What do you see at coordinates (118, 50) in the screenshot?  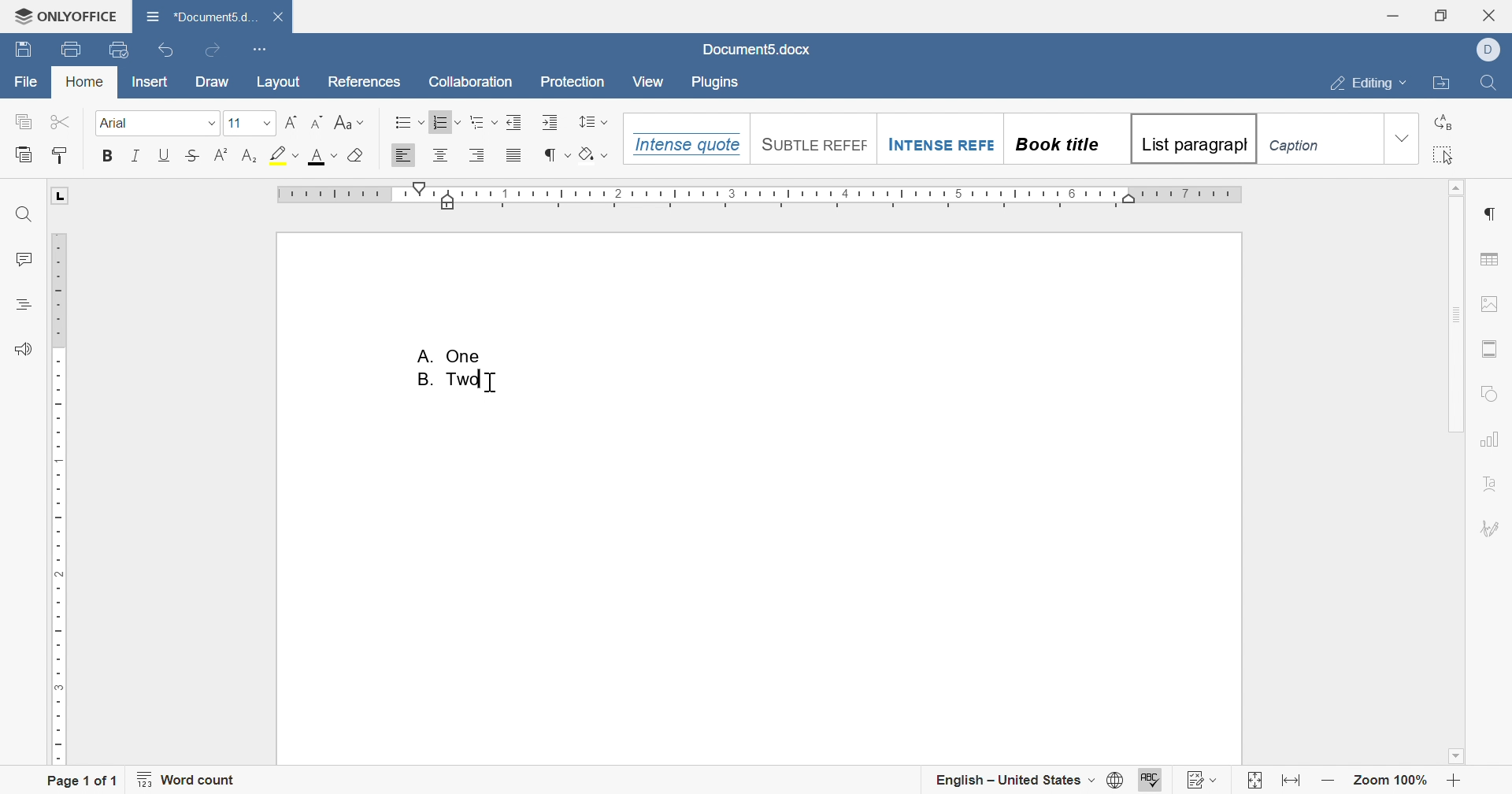 I see `quick print` at bounding box center [118, 50].